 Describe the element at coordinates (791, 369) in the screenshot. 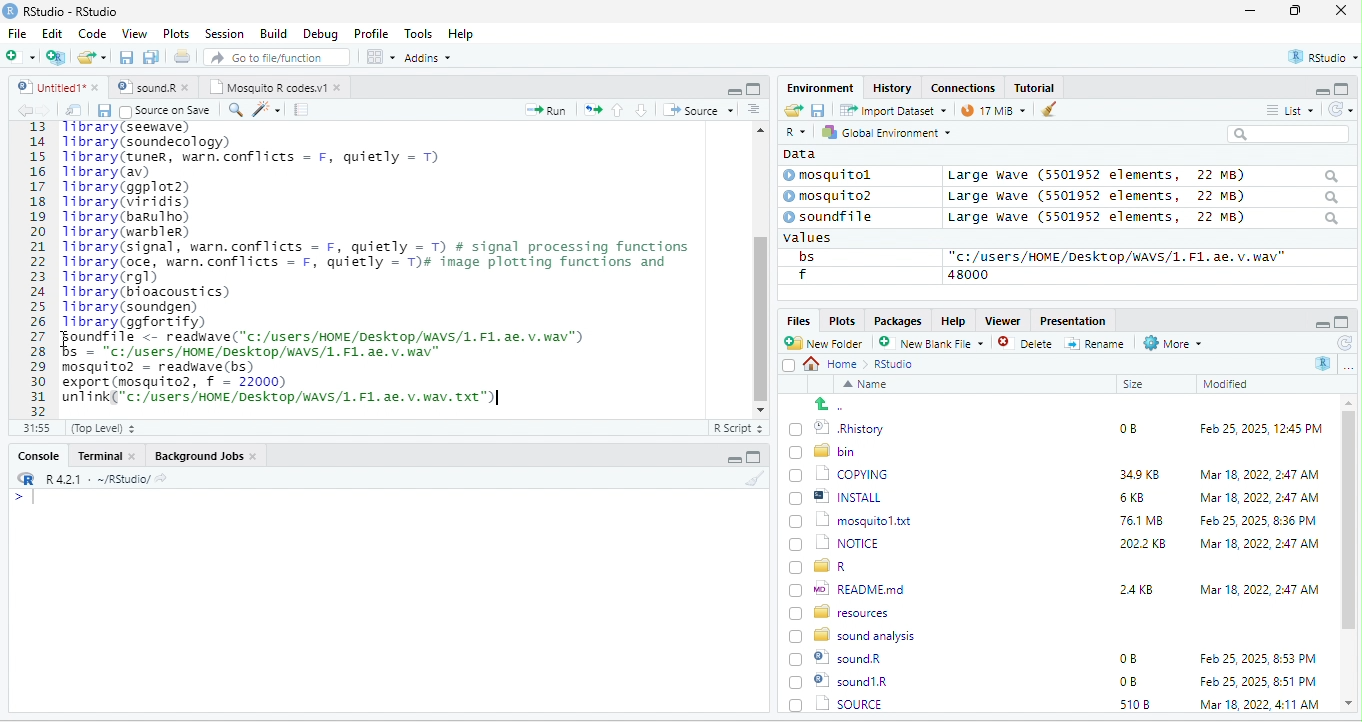

I see `select` at that location.